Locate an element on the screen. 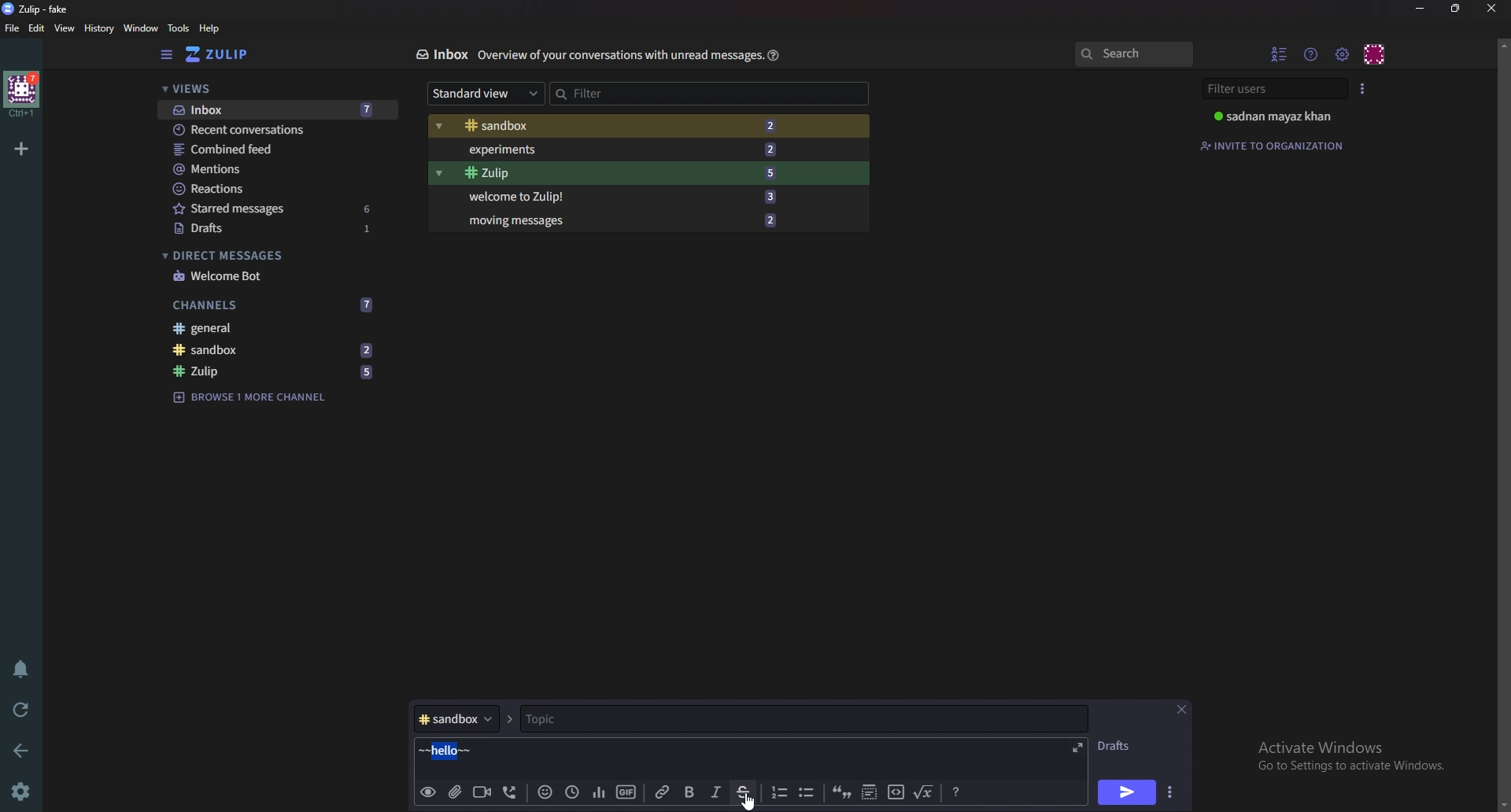  Emoji is located at coordinates (545, 792).